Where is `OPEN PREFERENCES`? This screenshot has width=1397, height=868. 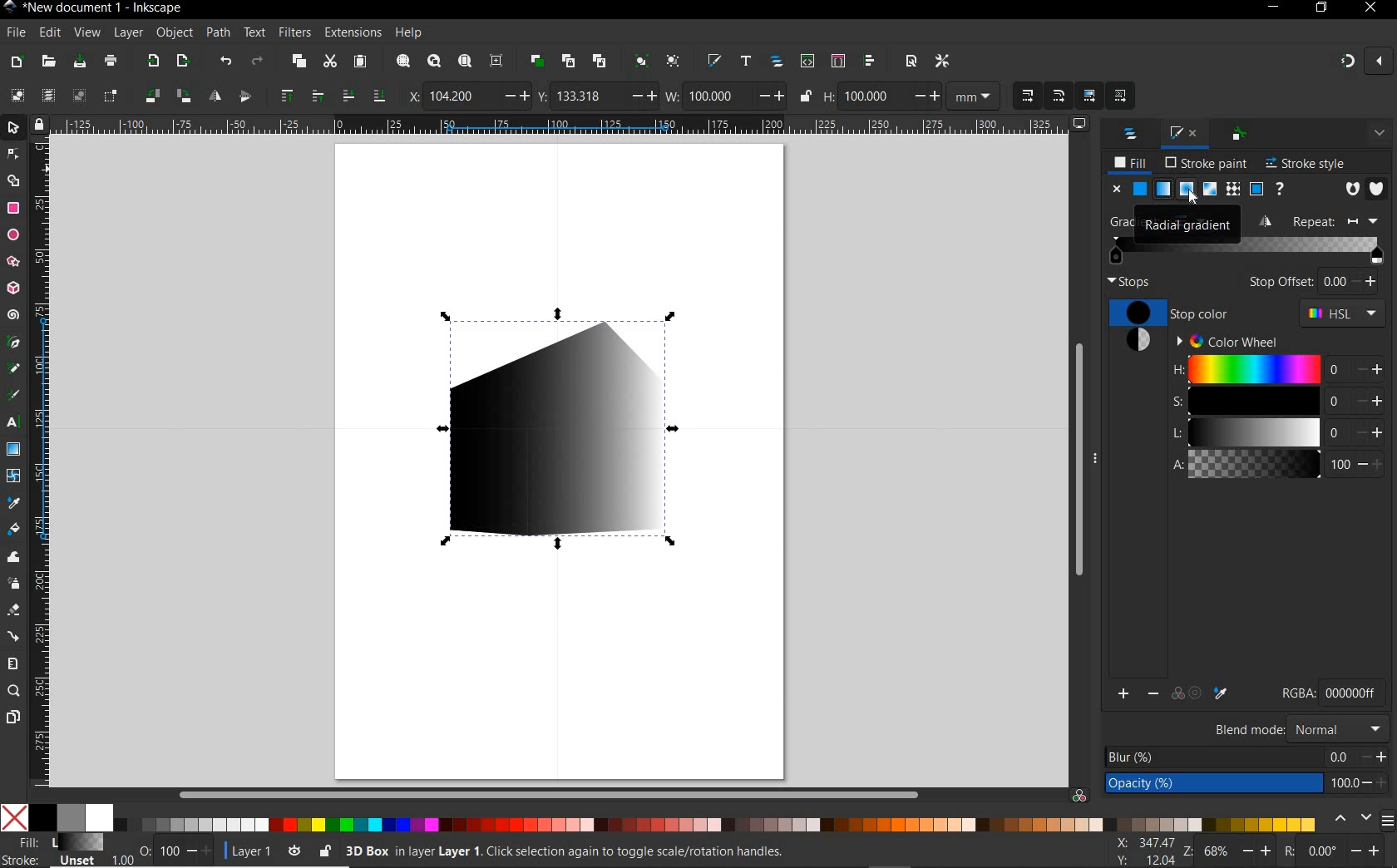
OPEN PREFERENCES is located at coordinates (942, 62).